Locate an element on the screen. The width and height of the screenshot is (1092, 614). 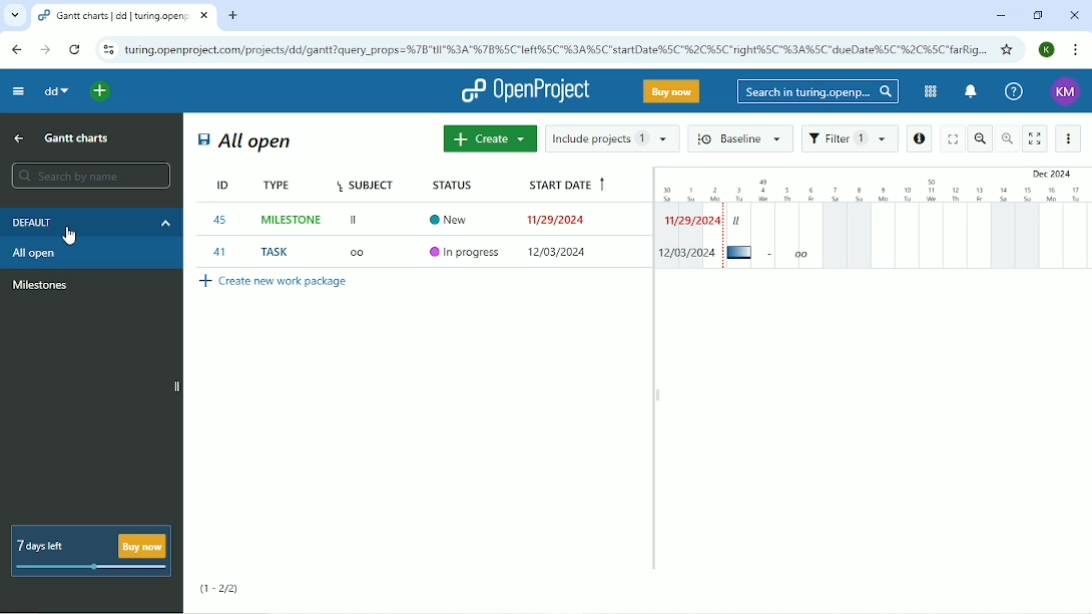
Account is located at coordinates (1047, 50).